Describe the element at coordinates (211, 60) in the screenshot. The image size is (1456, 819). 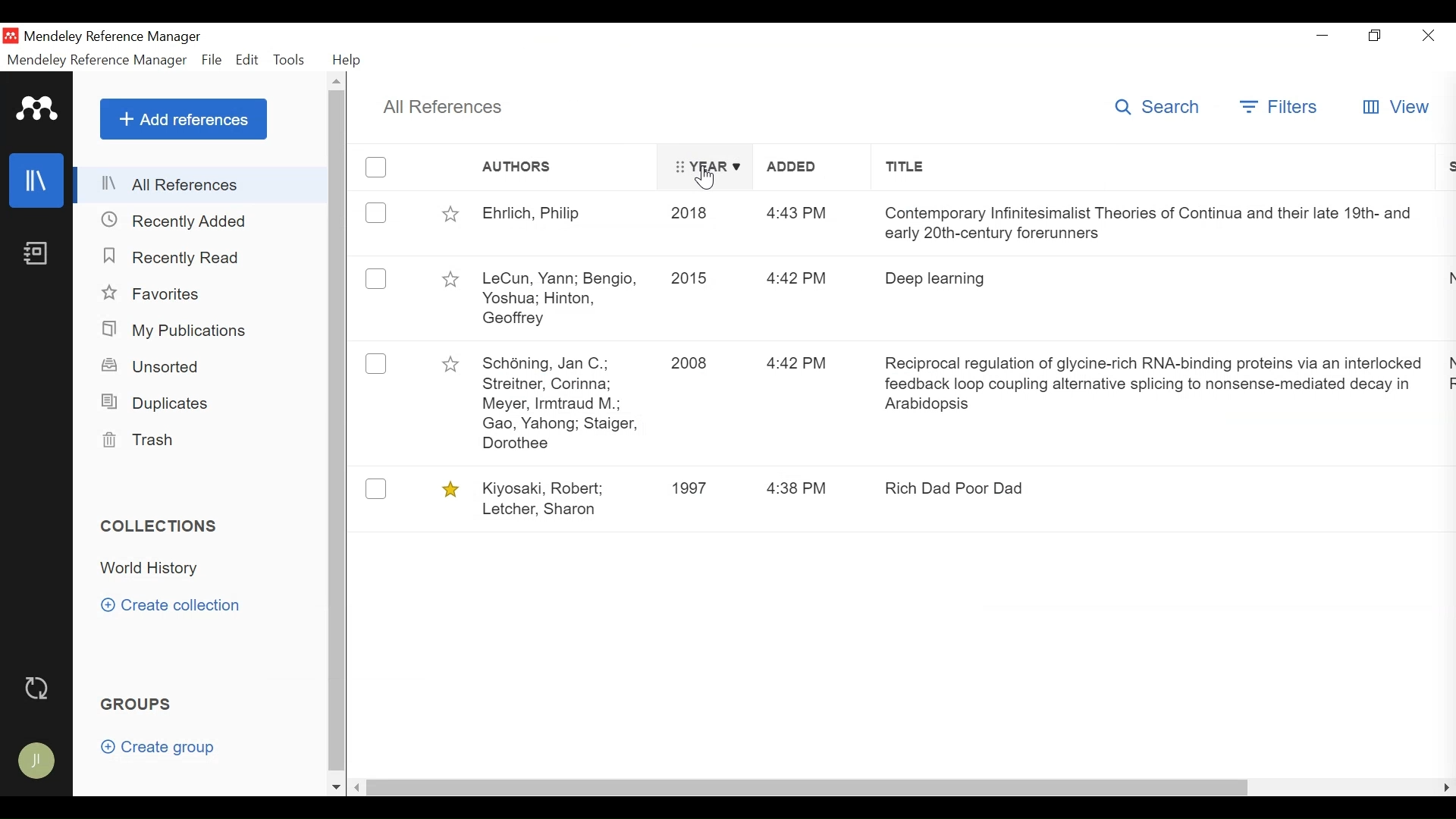
I see `File` at that location.